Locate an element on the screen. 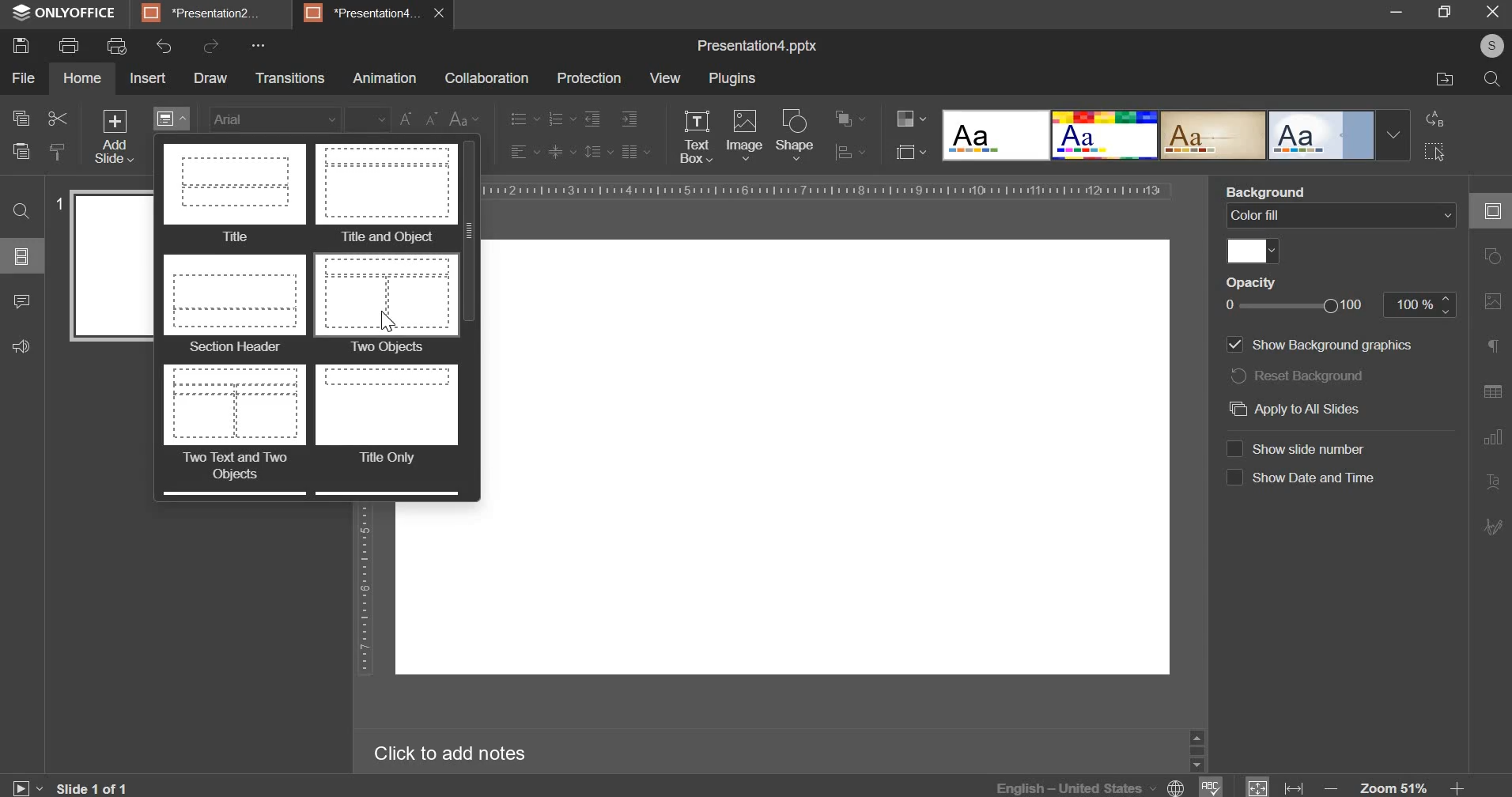 Image resolution: width=1512 pixels, height=797 pixels. text box is located at coordinates (697, 138).